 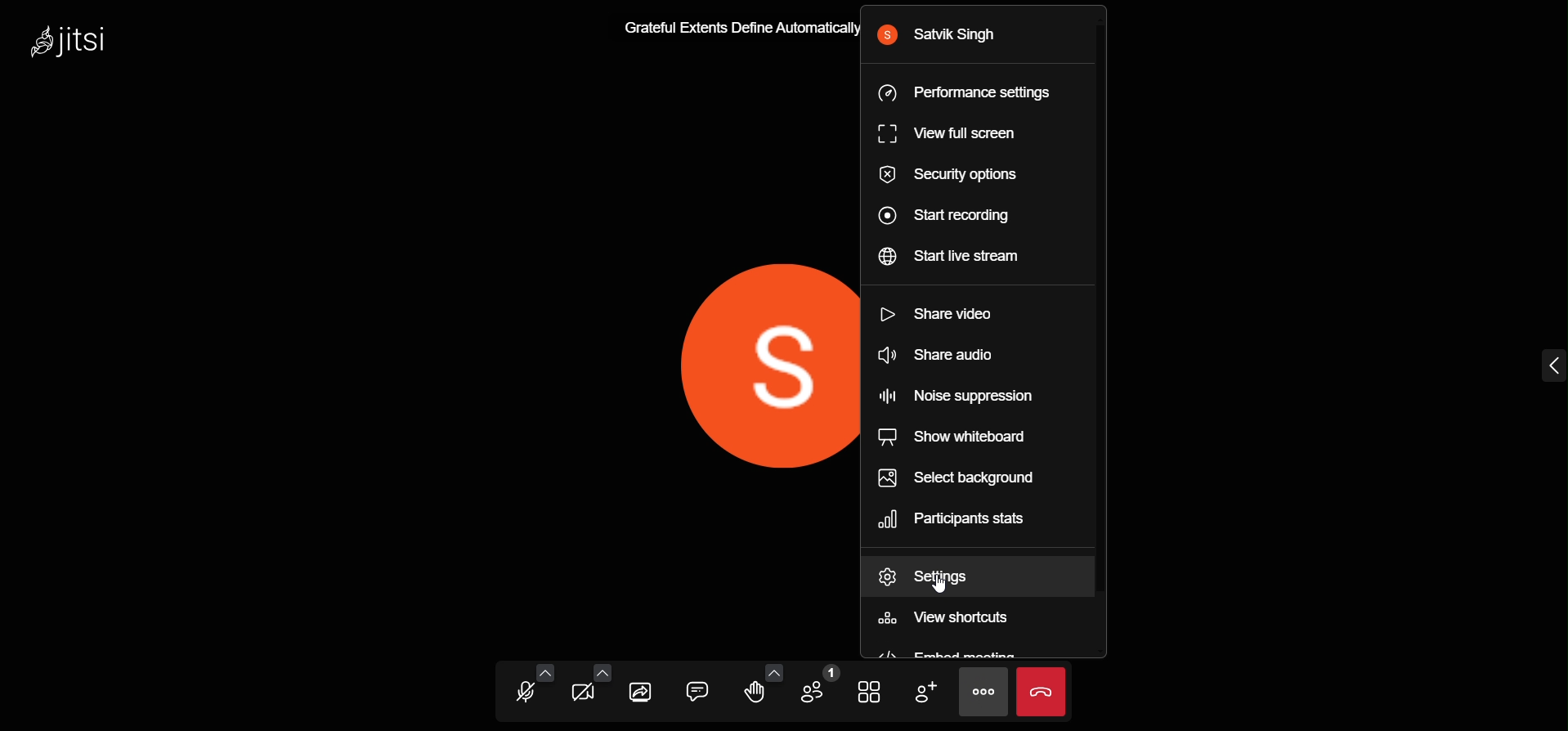 What do you see at coordinates (546, 674) in the screenshot?
I see `audio setting` at bounding box center [546, 674].